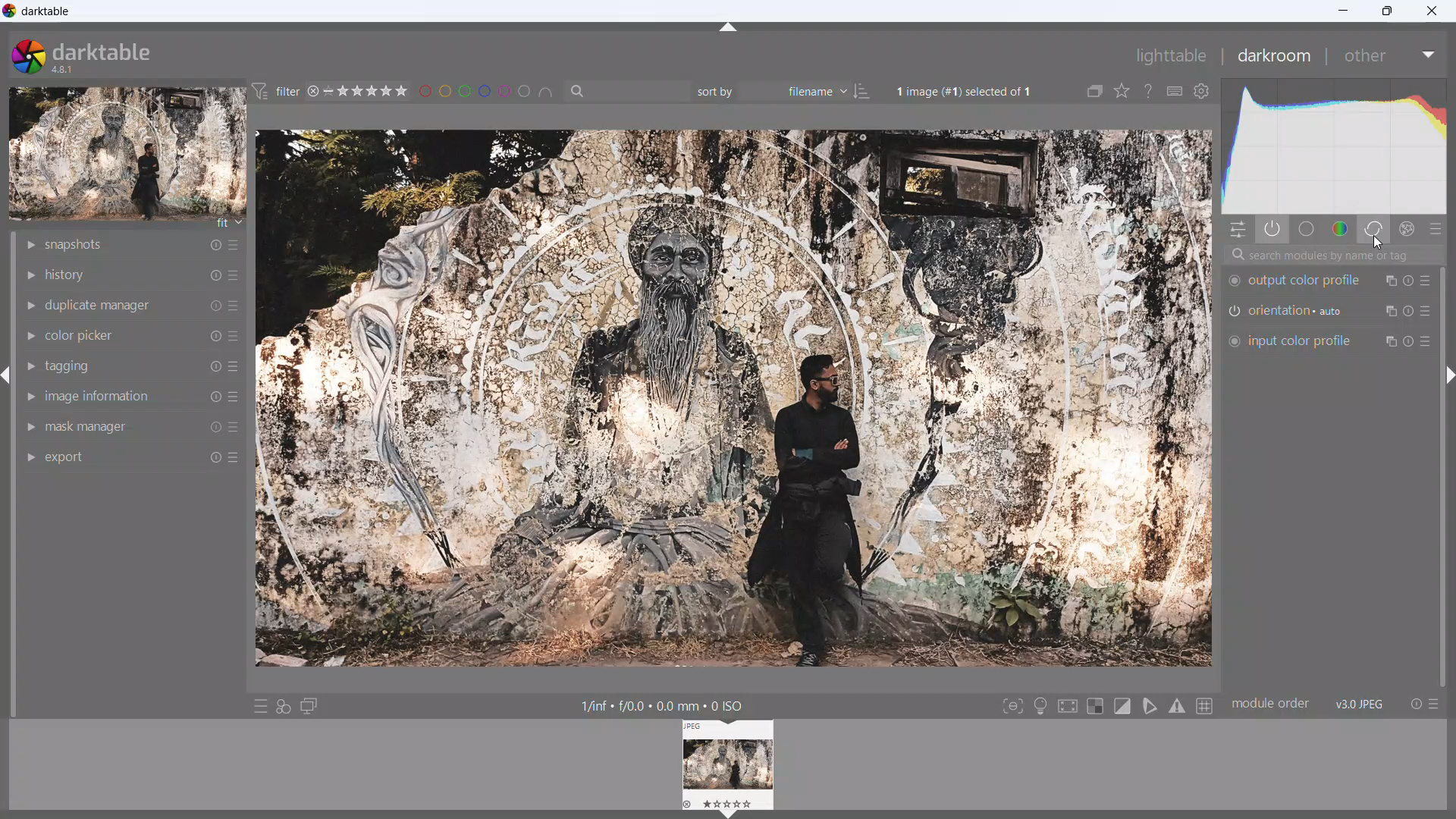 The width and height of the screenshot is (1456, 819). Describe the element at coordinates (33, 458) in the screenshot. I see `show module` at that location.